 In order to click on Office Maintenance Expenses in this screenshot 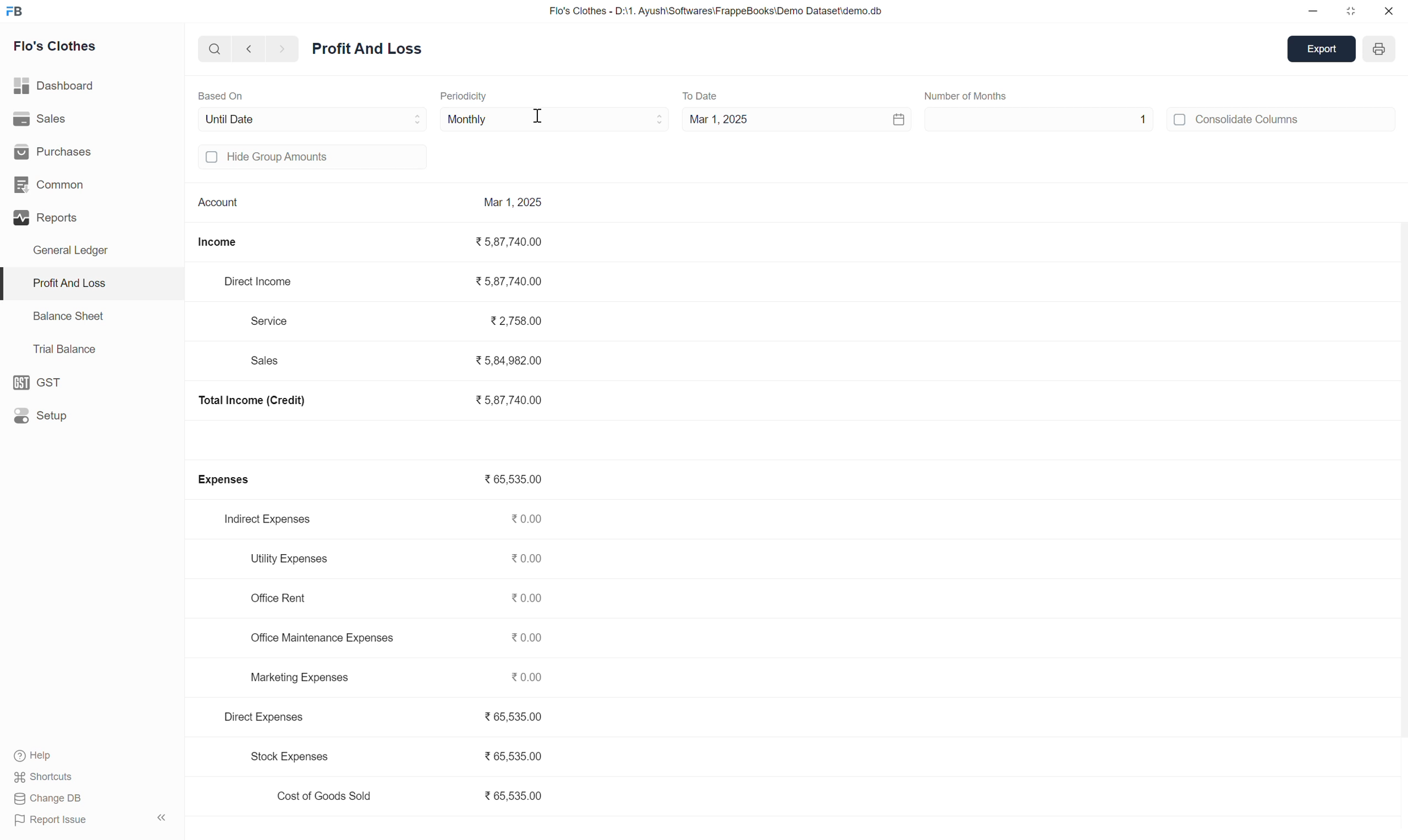, I will do `click(317, 640)`.